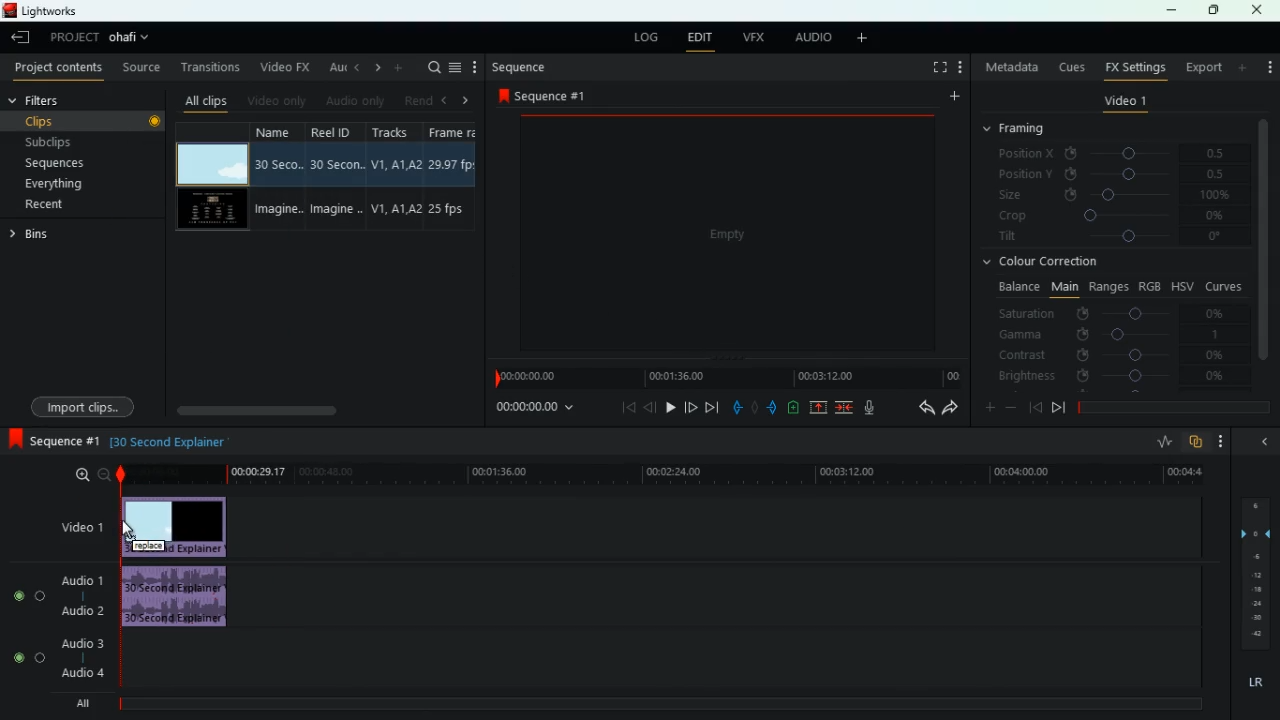  I want to click on edit, so click(699, 39).